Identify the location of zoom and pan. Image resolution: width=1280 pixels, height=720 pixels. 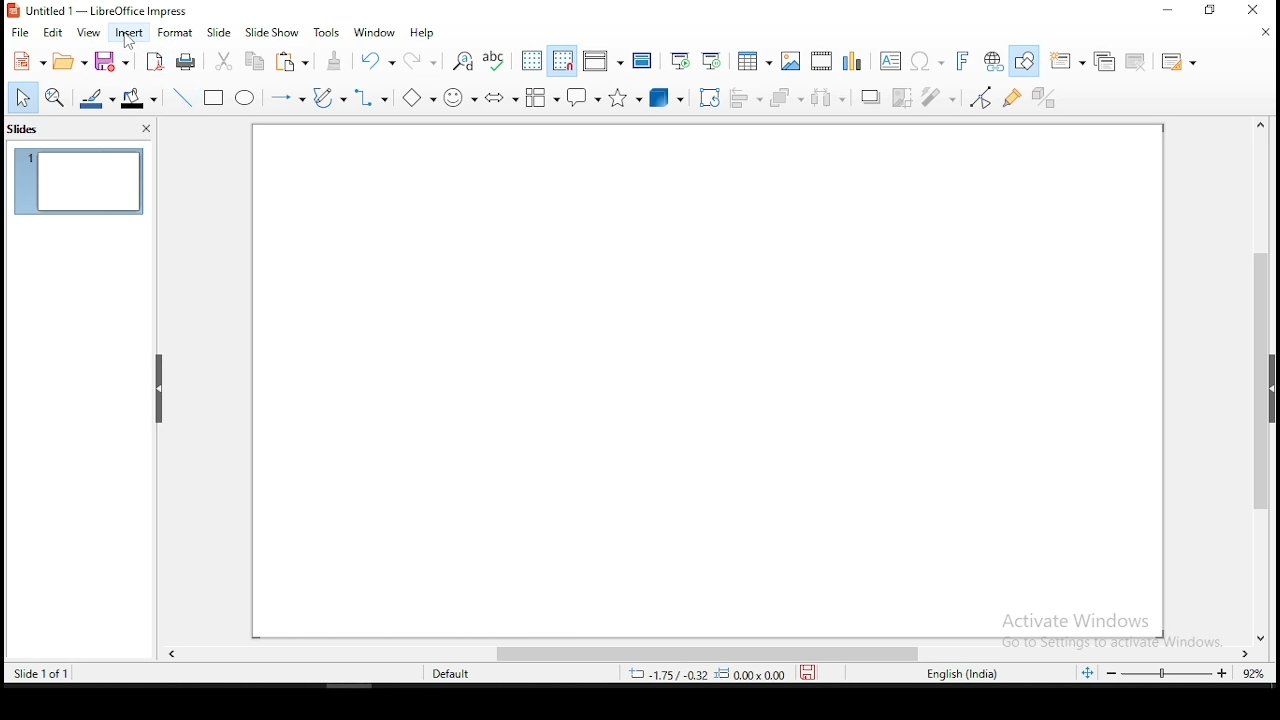
(57, 98).